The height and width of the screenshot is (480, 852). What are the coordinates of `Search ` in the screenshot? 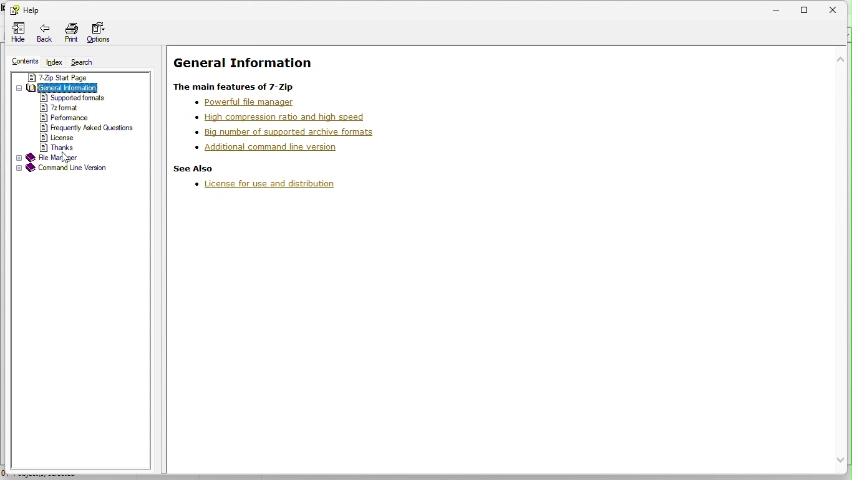 It's located at (86, 60).